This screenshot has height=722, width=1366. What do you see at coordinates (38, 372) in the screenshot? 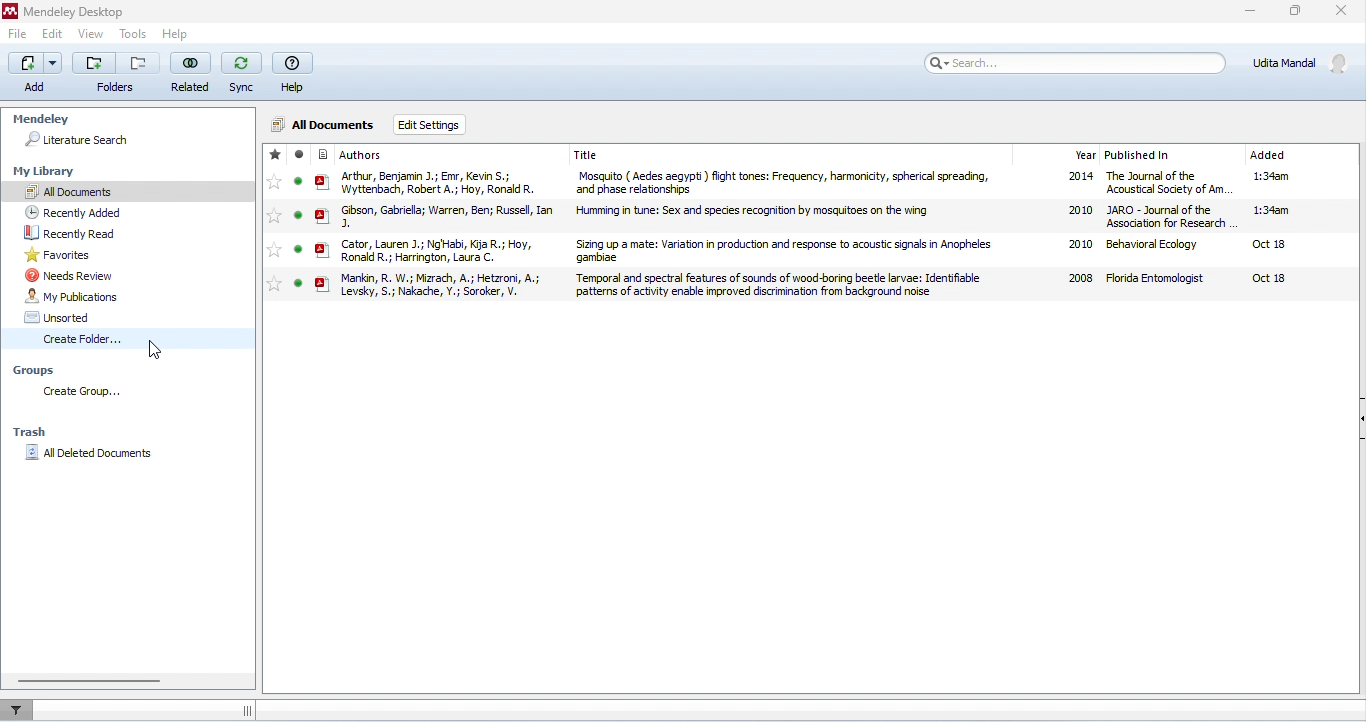
I see `groups` at bounding box center [38, 372].